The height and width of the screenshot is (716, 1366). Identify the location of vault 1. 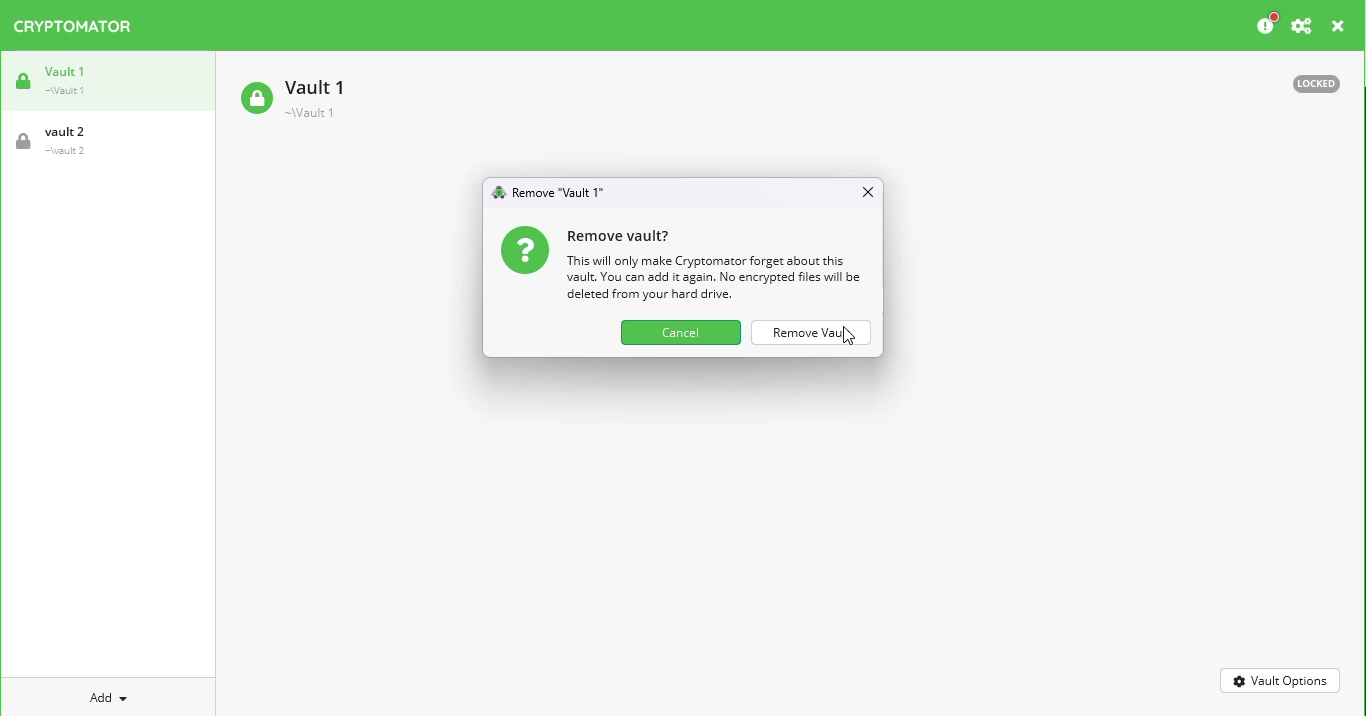
(60, 80).